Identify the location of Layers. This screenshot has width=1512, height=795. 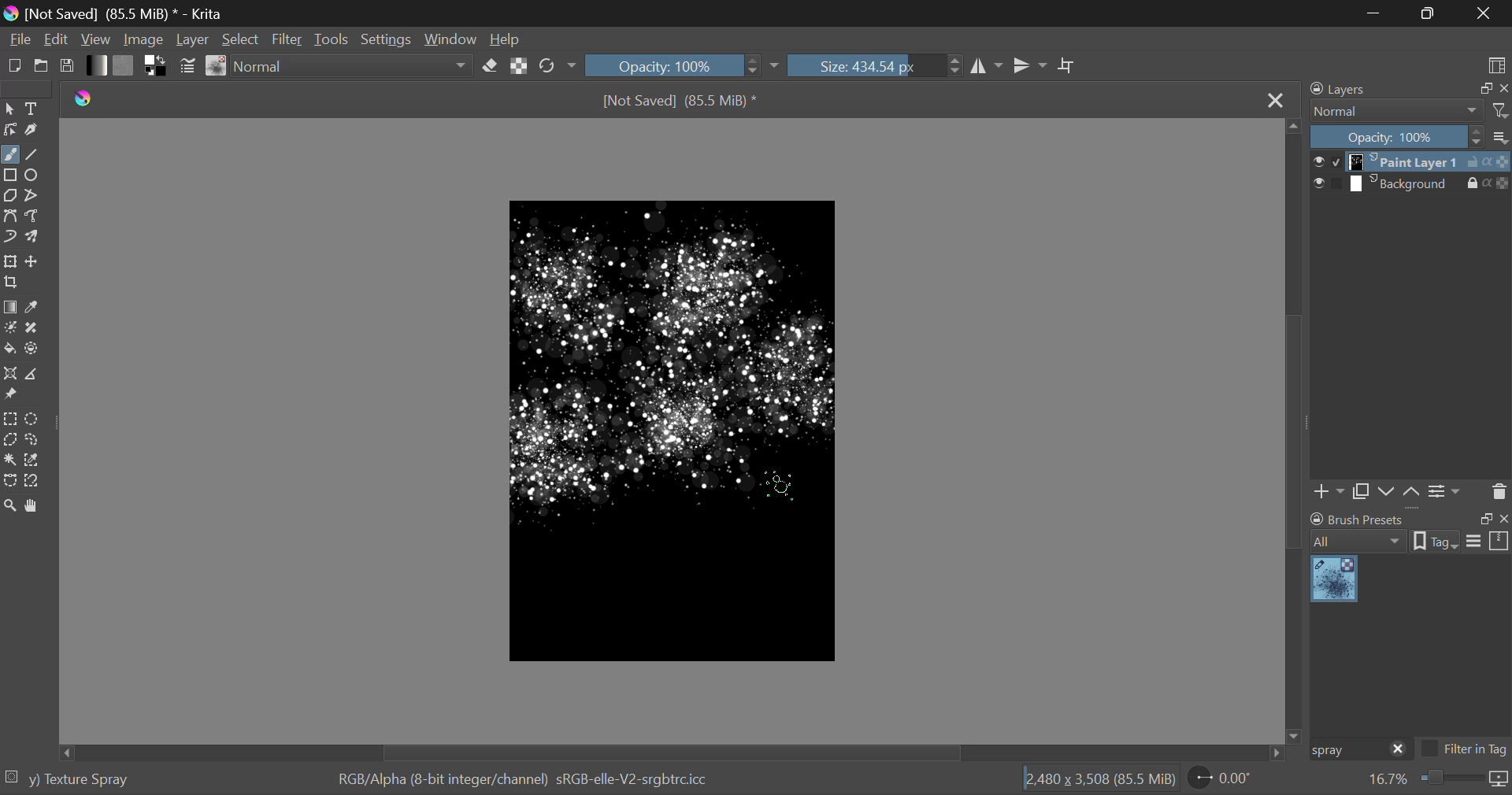
(1347, 88).